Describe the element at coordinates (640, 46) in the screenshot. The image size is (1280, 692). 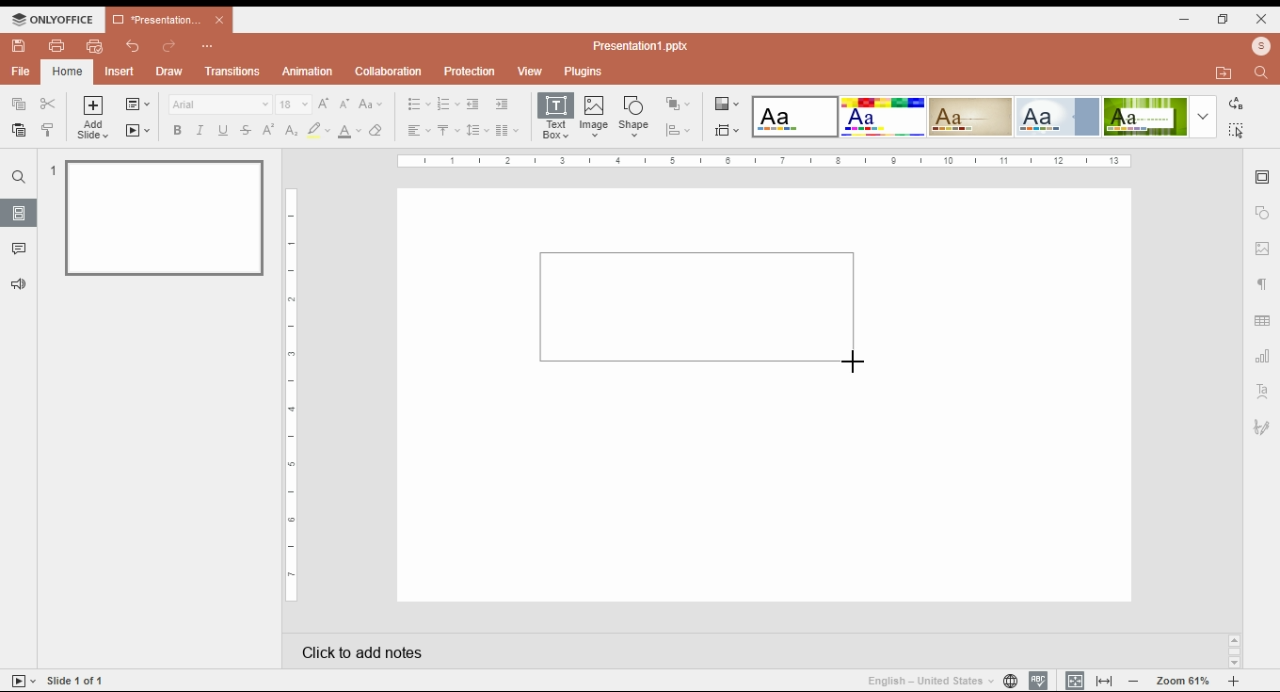
I see `Presentation1.pptx` at that location.